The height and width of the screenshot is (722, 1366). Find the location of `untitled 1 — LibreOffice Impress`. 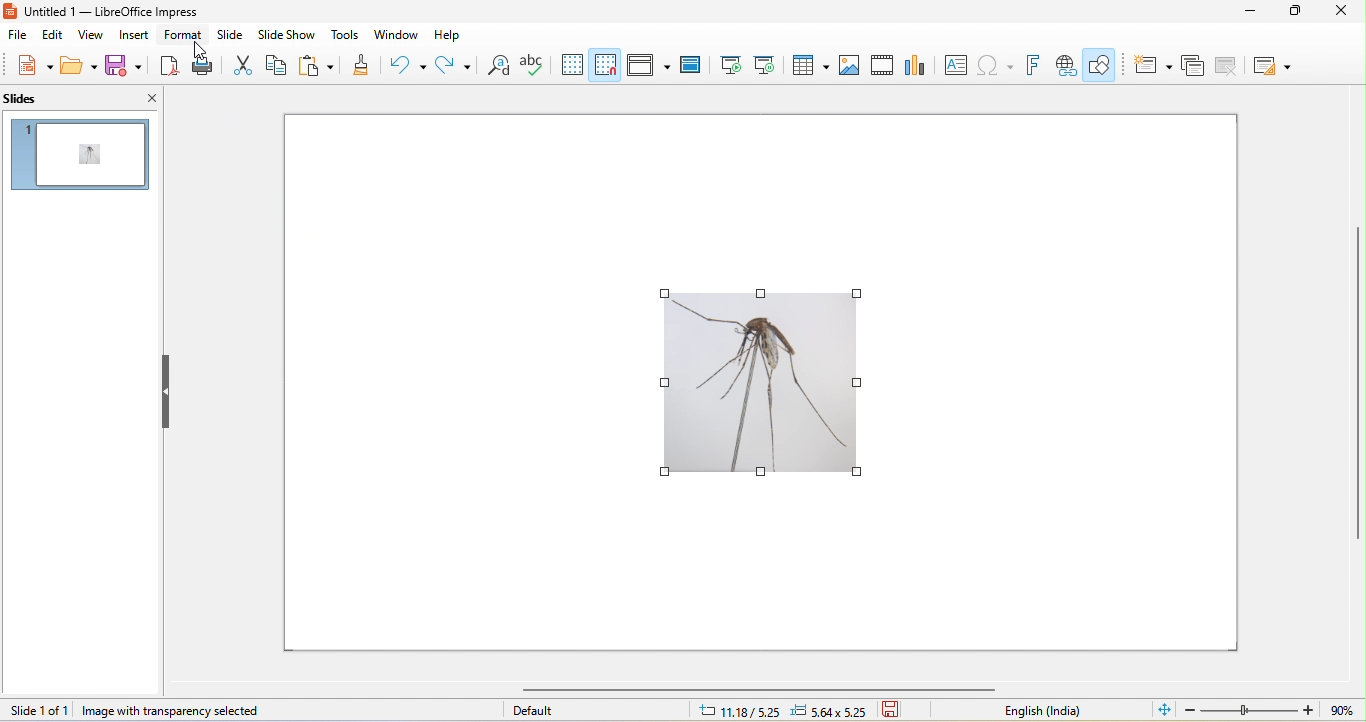

untitled 1 — LibreOffice Impress is located at coordinates (121, 12).